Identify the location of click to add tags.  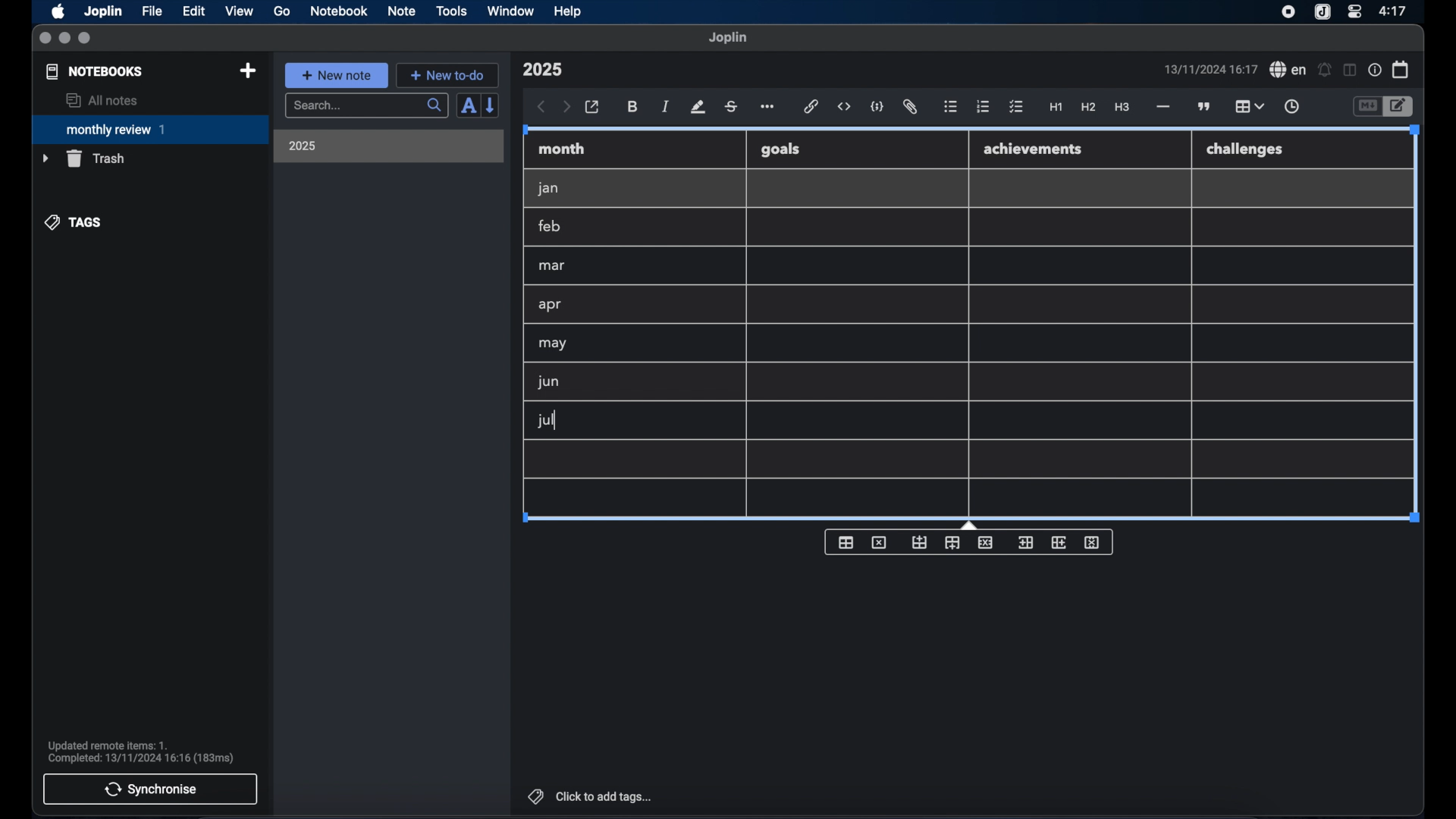
(591, 796).